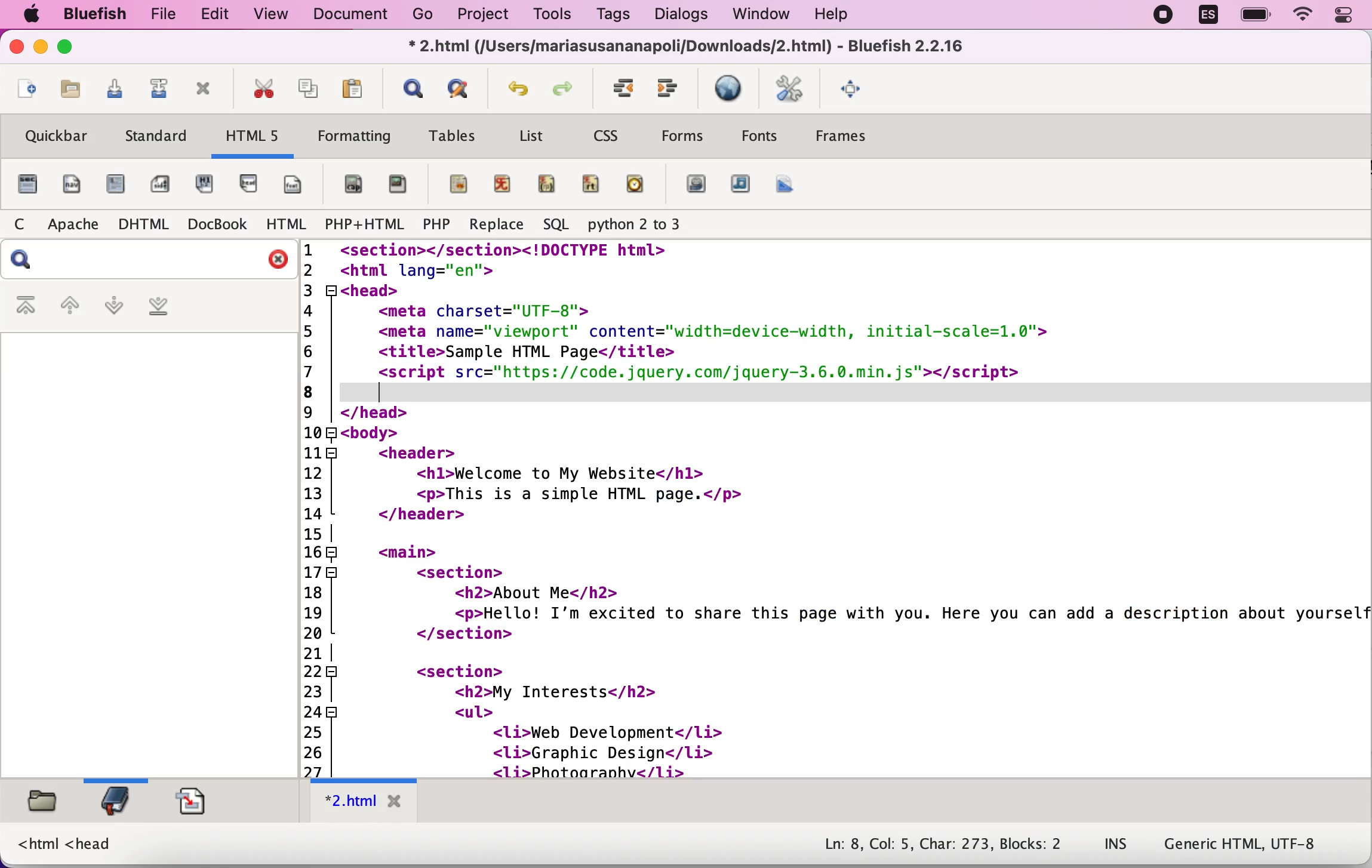 The image size is (1372, 868). What do you see at coordinates (195, 802) in the screenshot?
I see `snippets` at bounding box center [195, 802].